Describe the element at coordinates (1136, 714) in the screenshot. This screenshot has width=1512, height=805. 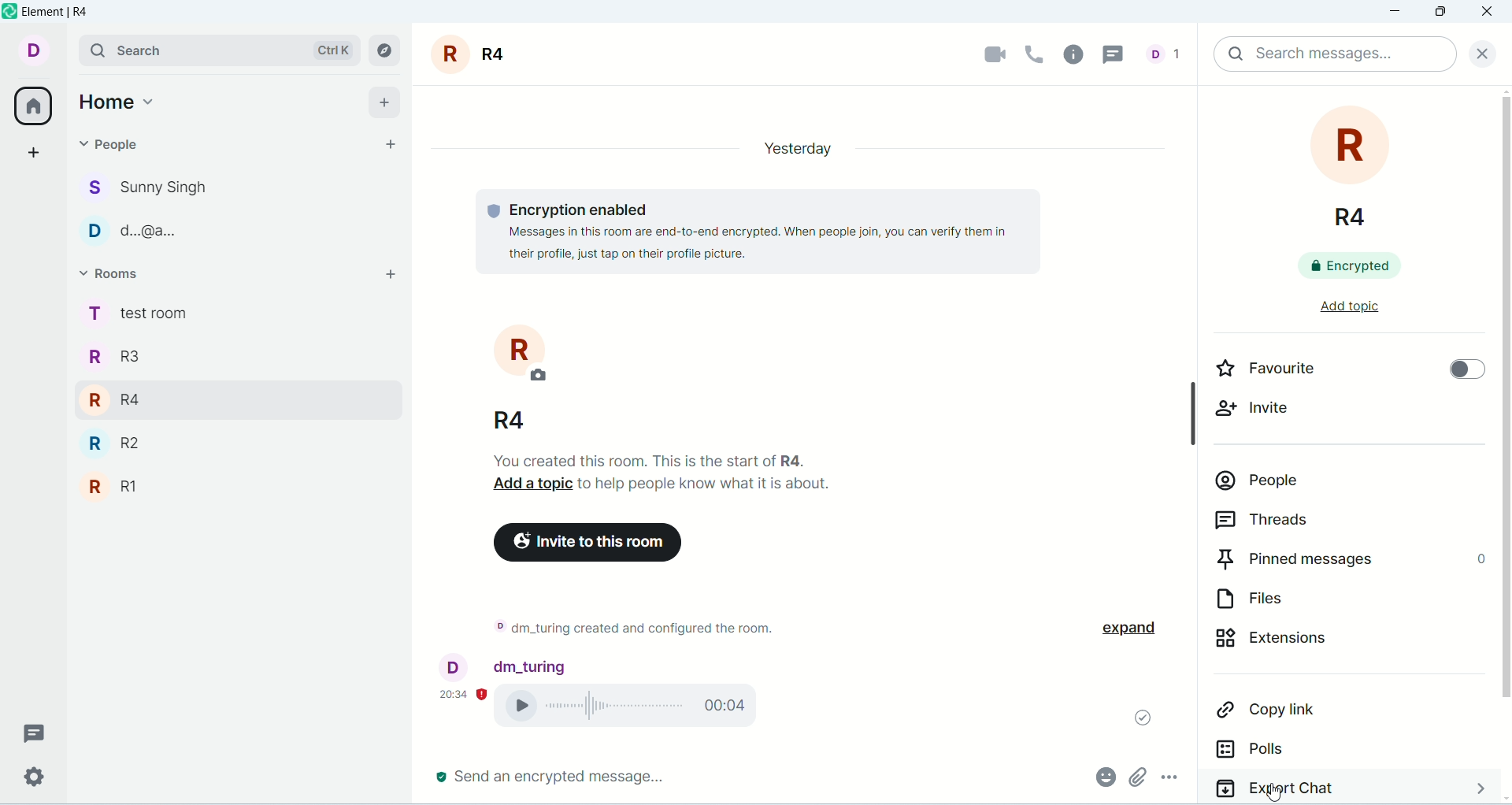
I see `message sent` at that location.